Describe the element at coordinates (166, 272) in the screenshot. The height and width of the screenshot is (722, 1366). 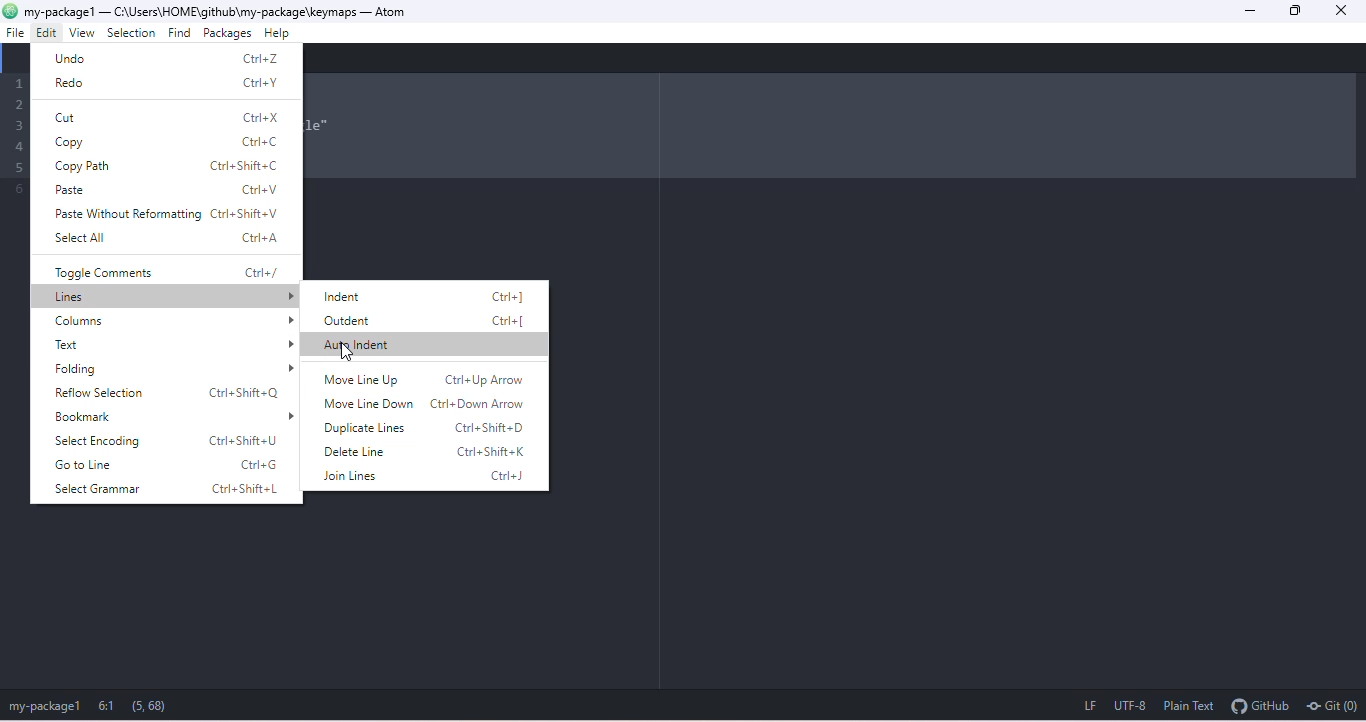
I see `toggle comments` at that location.